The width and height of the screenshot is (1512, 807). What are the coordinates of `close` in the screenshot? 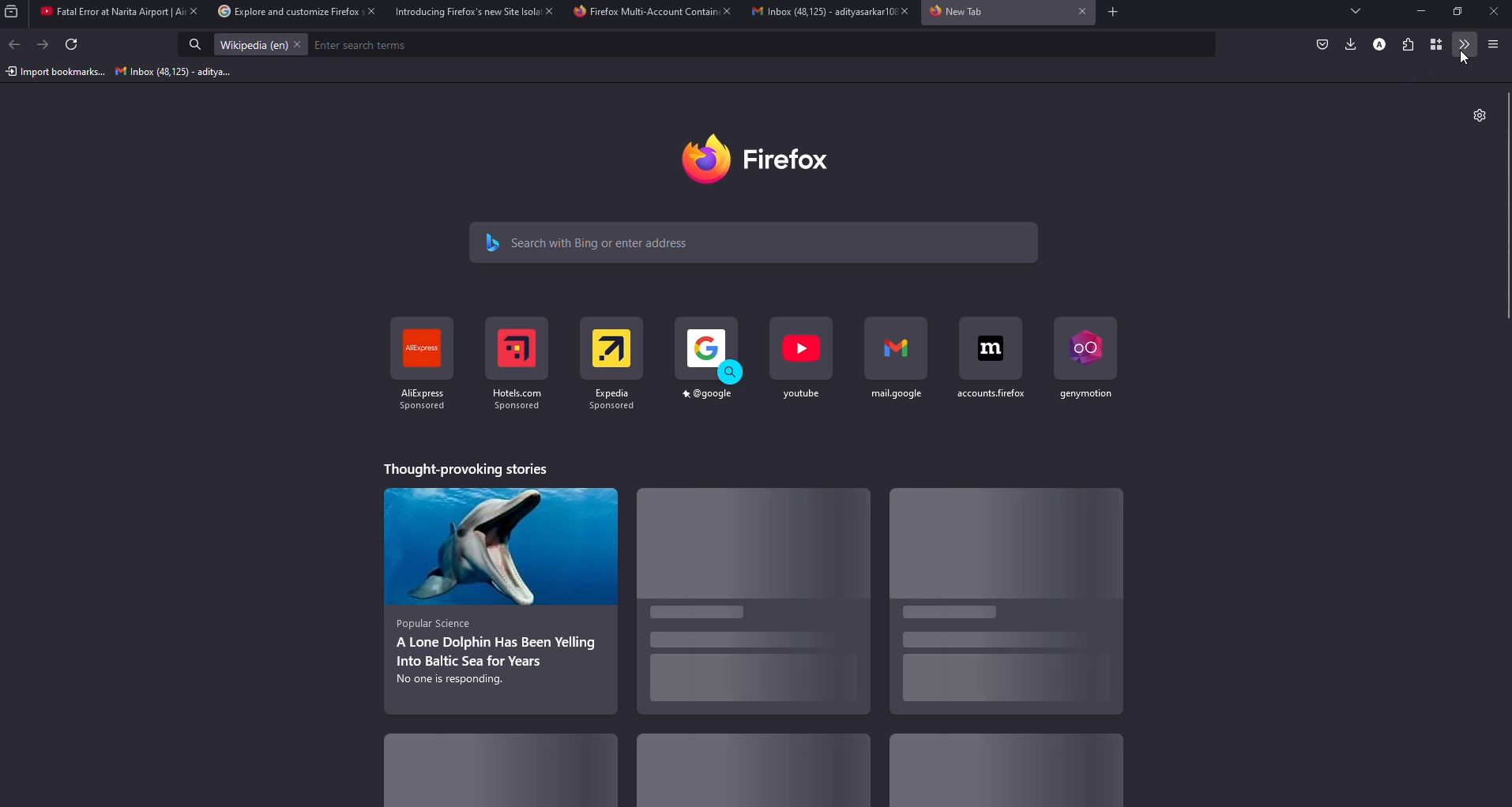 It's located at (299, 44).